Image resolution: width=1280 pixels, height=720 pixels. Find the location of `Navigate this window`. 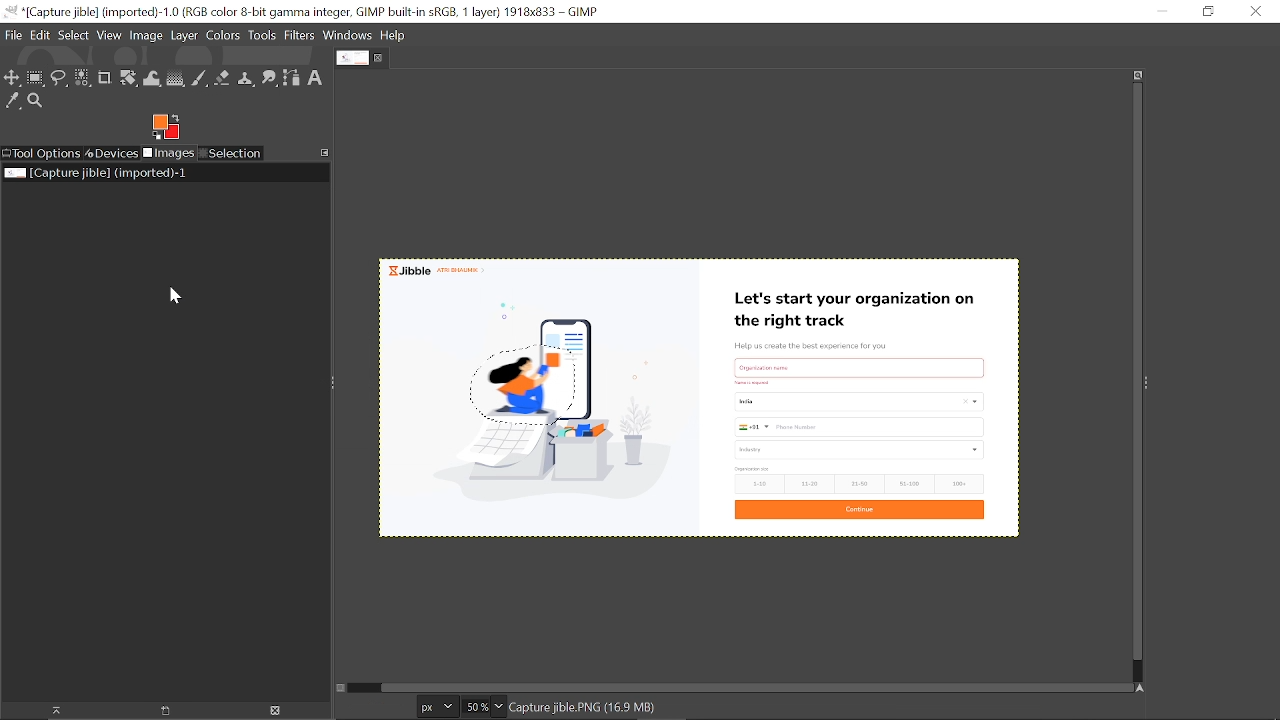

Navigate this window is located at coordinates (1144, 689).